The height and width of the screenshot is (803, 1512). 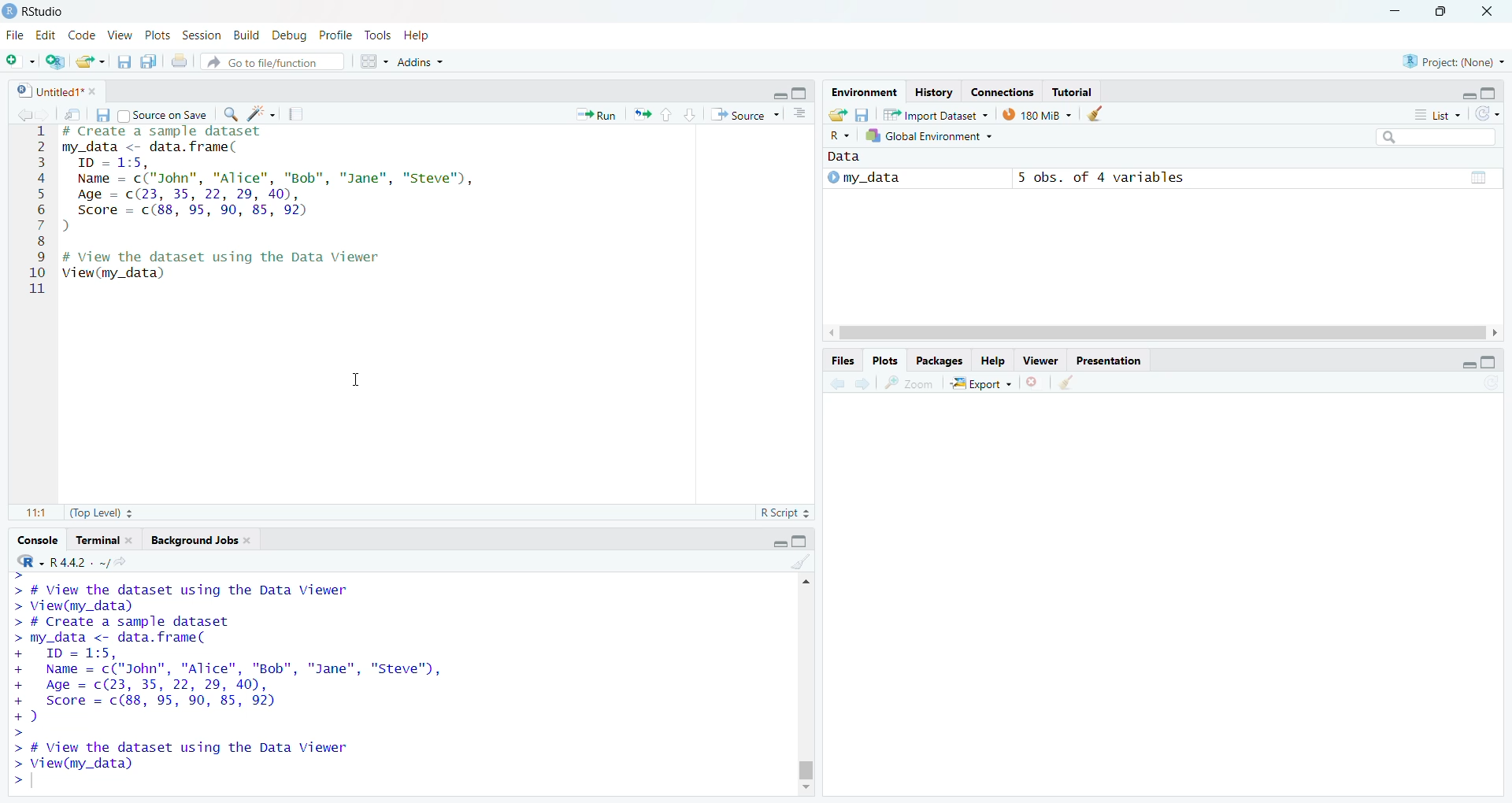 What do you see at coordinates (296, 113) in the screenshot?
I see `Pages` at bounding box center [296, 113].